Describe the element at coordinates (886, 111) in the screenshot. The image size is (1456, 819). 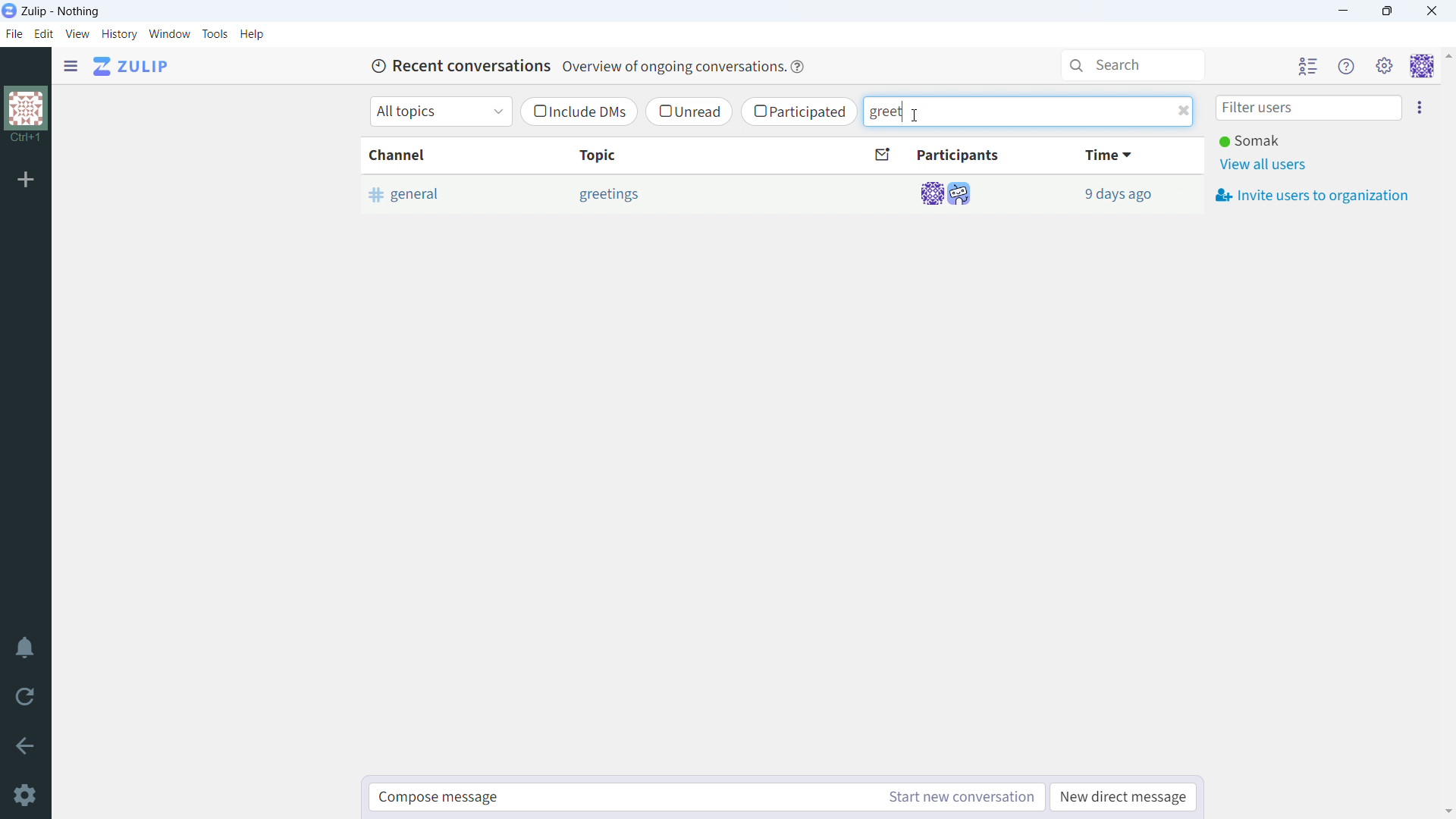
I see `filter text typed` at that location.